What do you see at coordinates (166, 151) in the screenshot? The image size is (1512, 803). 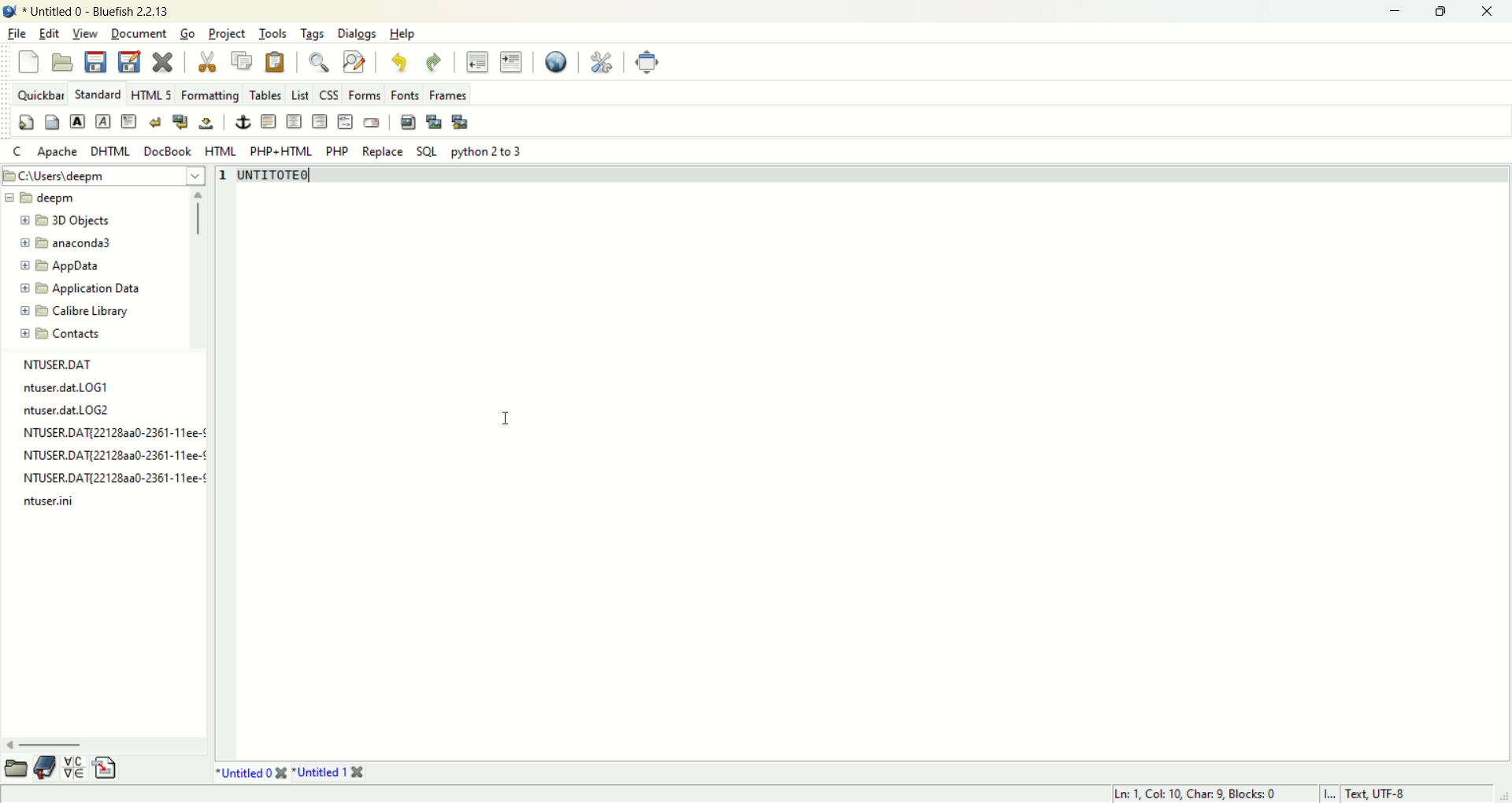 I see `DocBook` at bounding box center [166, 151].